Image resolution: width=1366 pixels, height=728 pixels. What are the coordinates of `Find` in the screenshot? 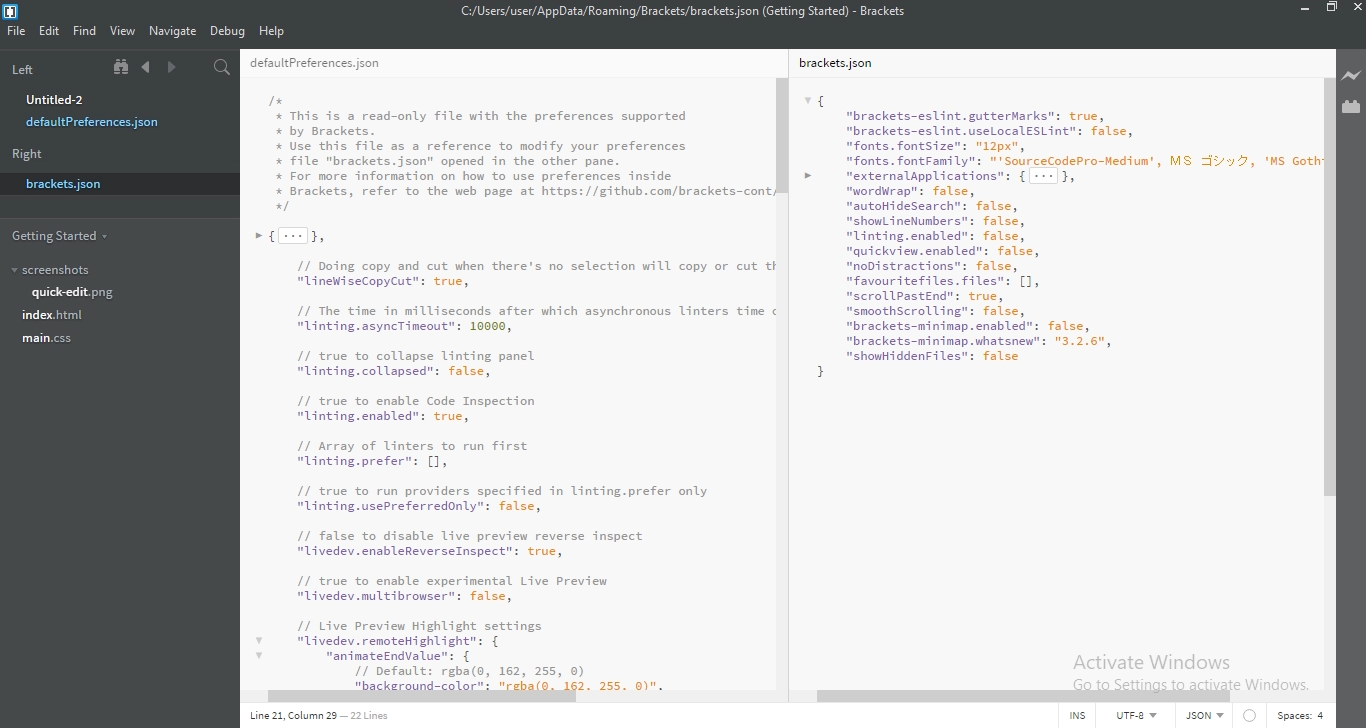 It's located at (84, 31).